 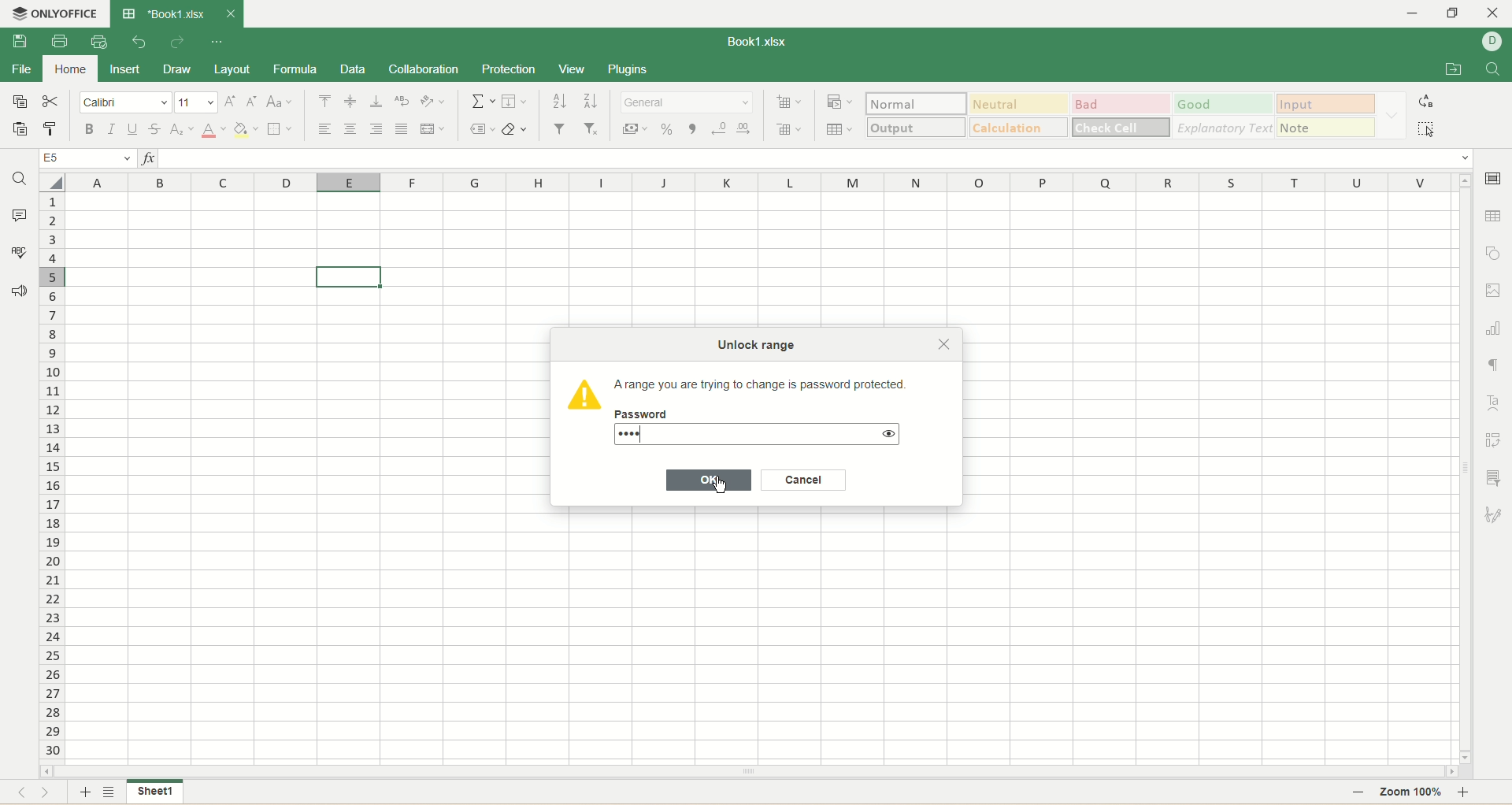 I want to click on align top, so click(x=326, y=101).